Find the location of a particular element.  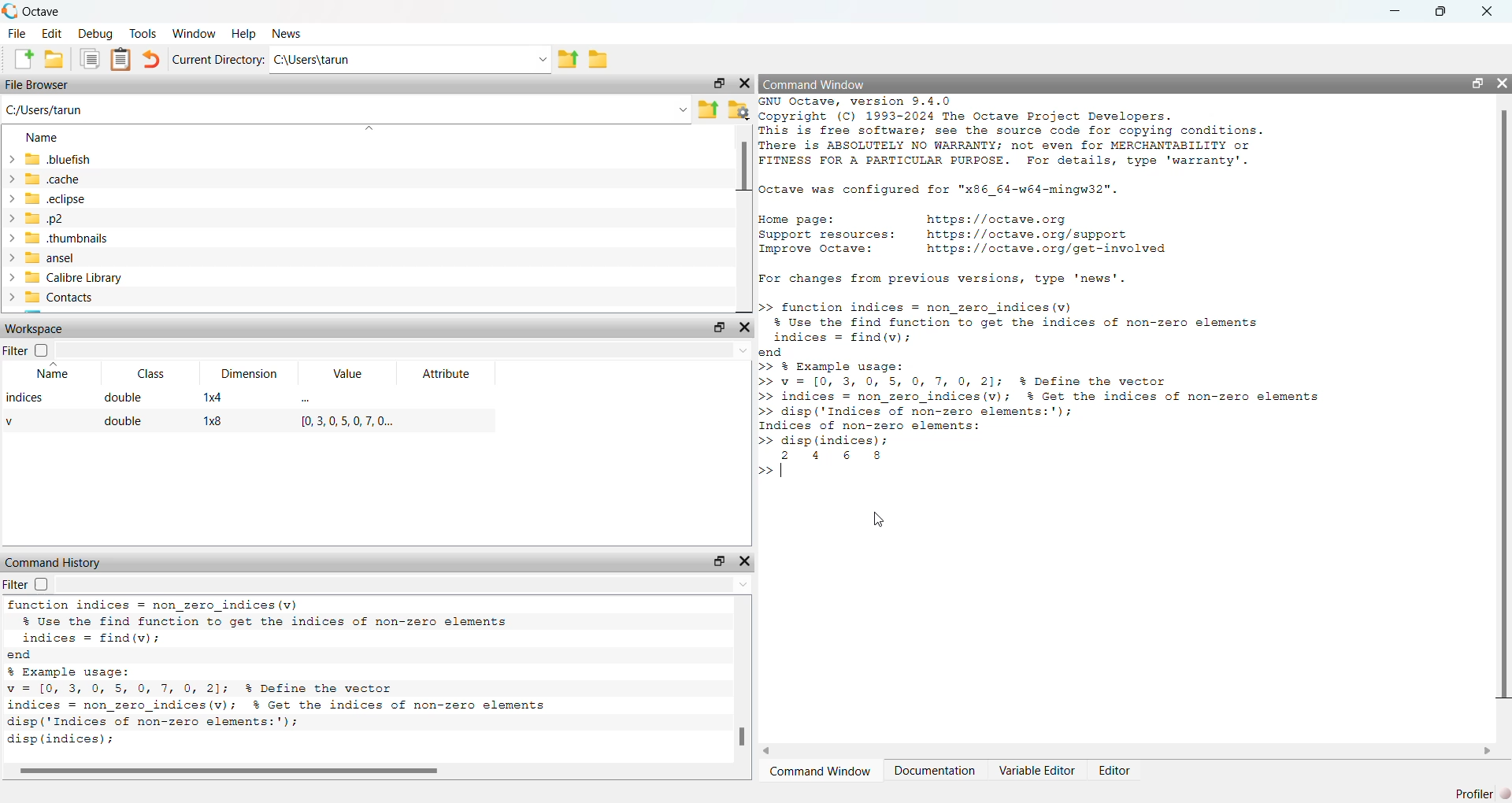

dropdown is located at coordinates (408, 587).